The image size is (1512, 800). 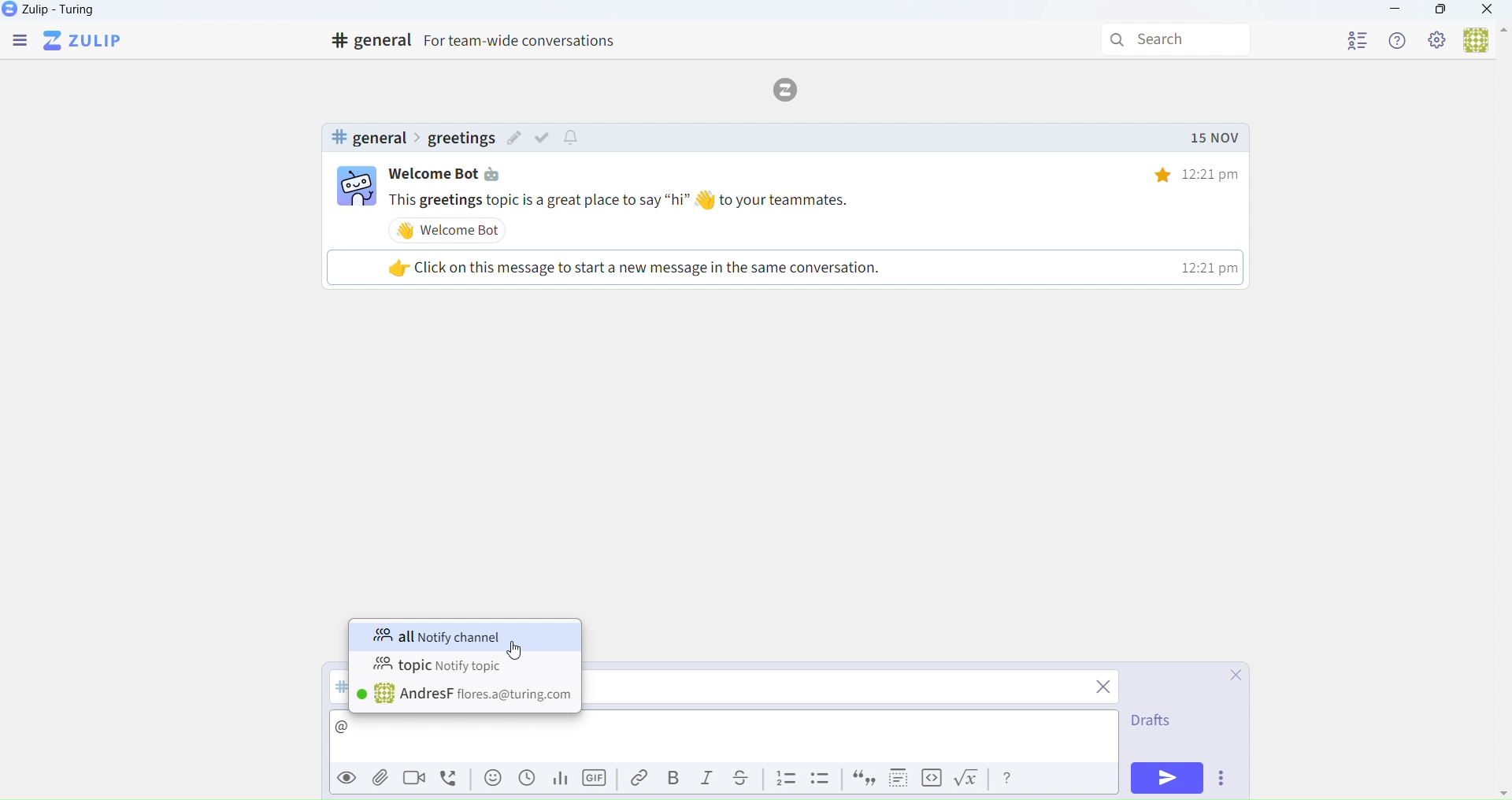 I want to click on Send, so click(x=1169, y=778).